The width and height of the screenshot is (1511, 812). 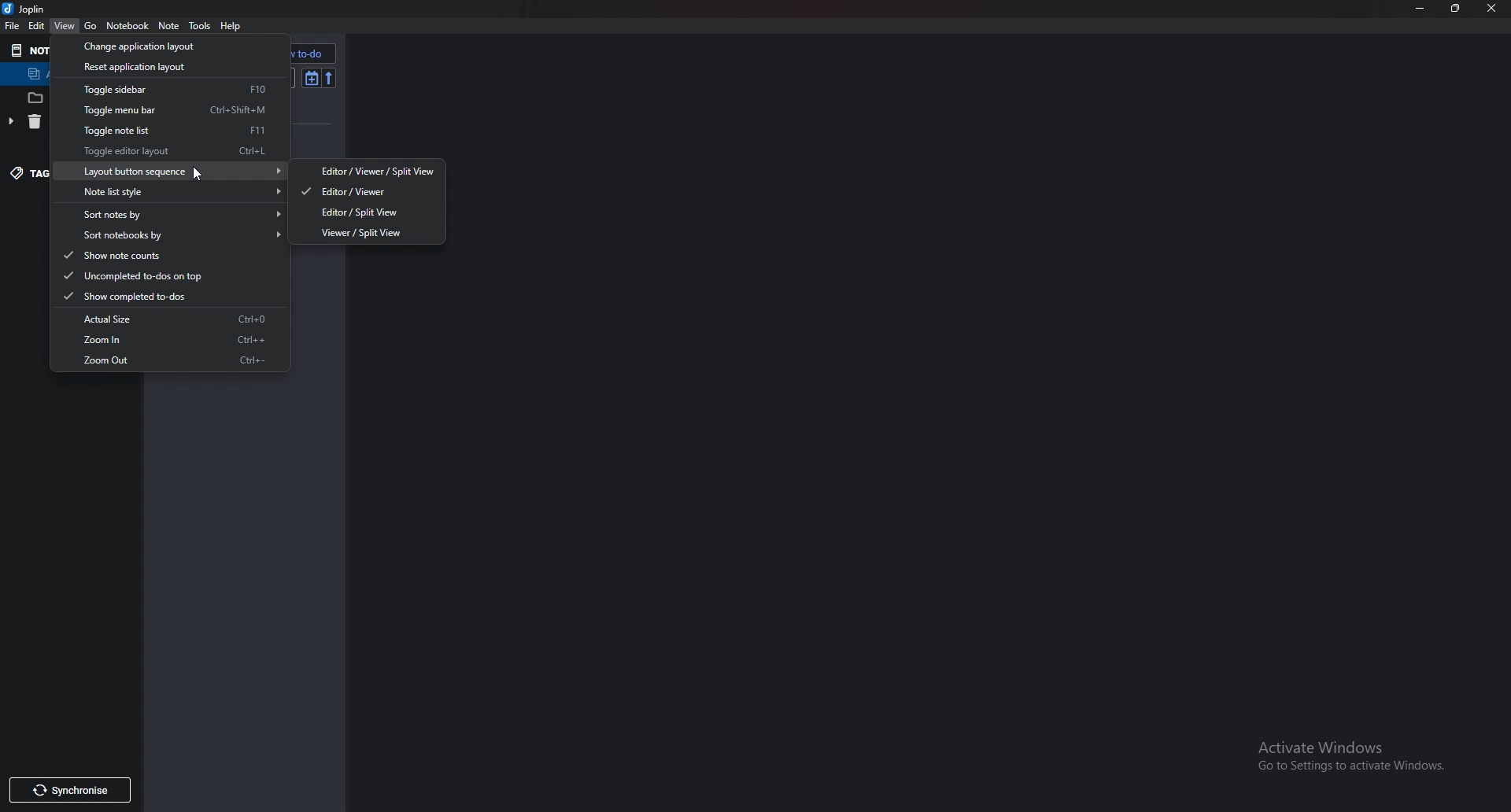 What do you see at coordinates (161, 44) in the screenshot?
I see `Change application layout` at bounding box center [161, 44].